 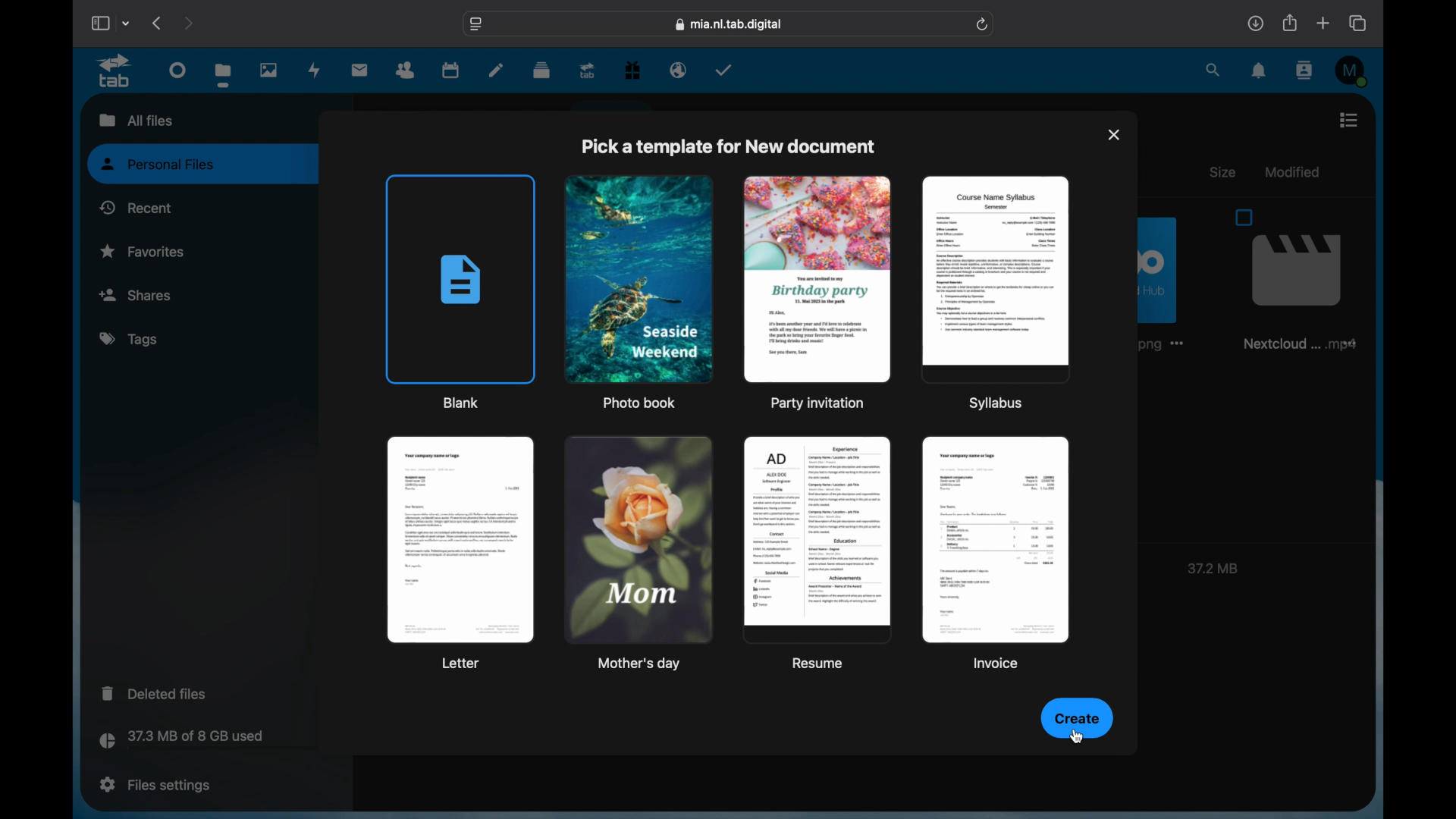 What do you see at coordinates (639, 291) in the screenshot?
I see `photo book` at bounding box center [639, 291].